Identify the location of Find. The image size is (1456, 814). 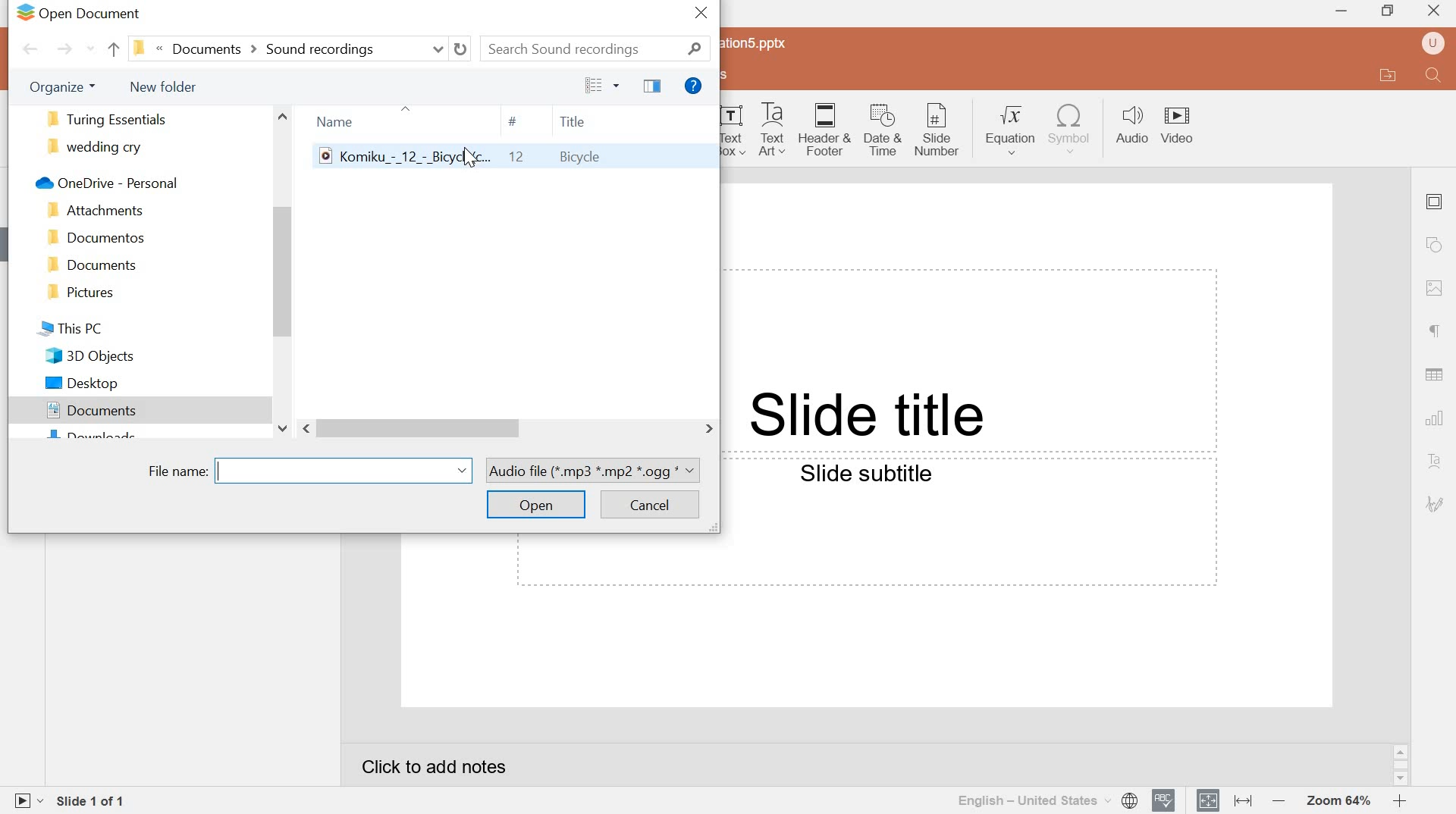
(1435, 76).